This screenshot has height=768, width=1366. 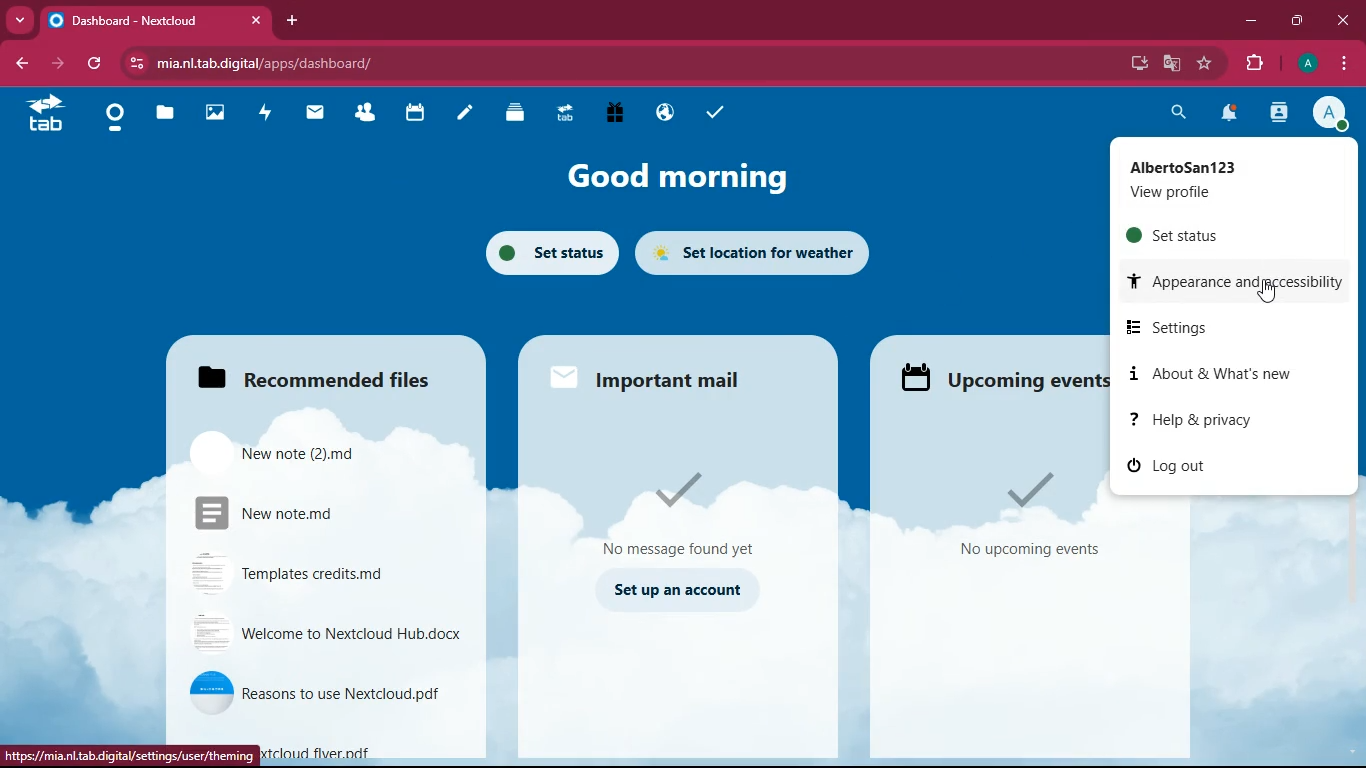 I want to click on file, so click(x=311, y=456).